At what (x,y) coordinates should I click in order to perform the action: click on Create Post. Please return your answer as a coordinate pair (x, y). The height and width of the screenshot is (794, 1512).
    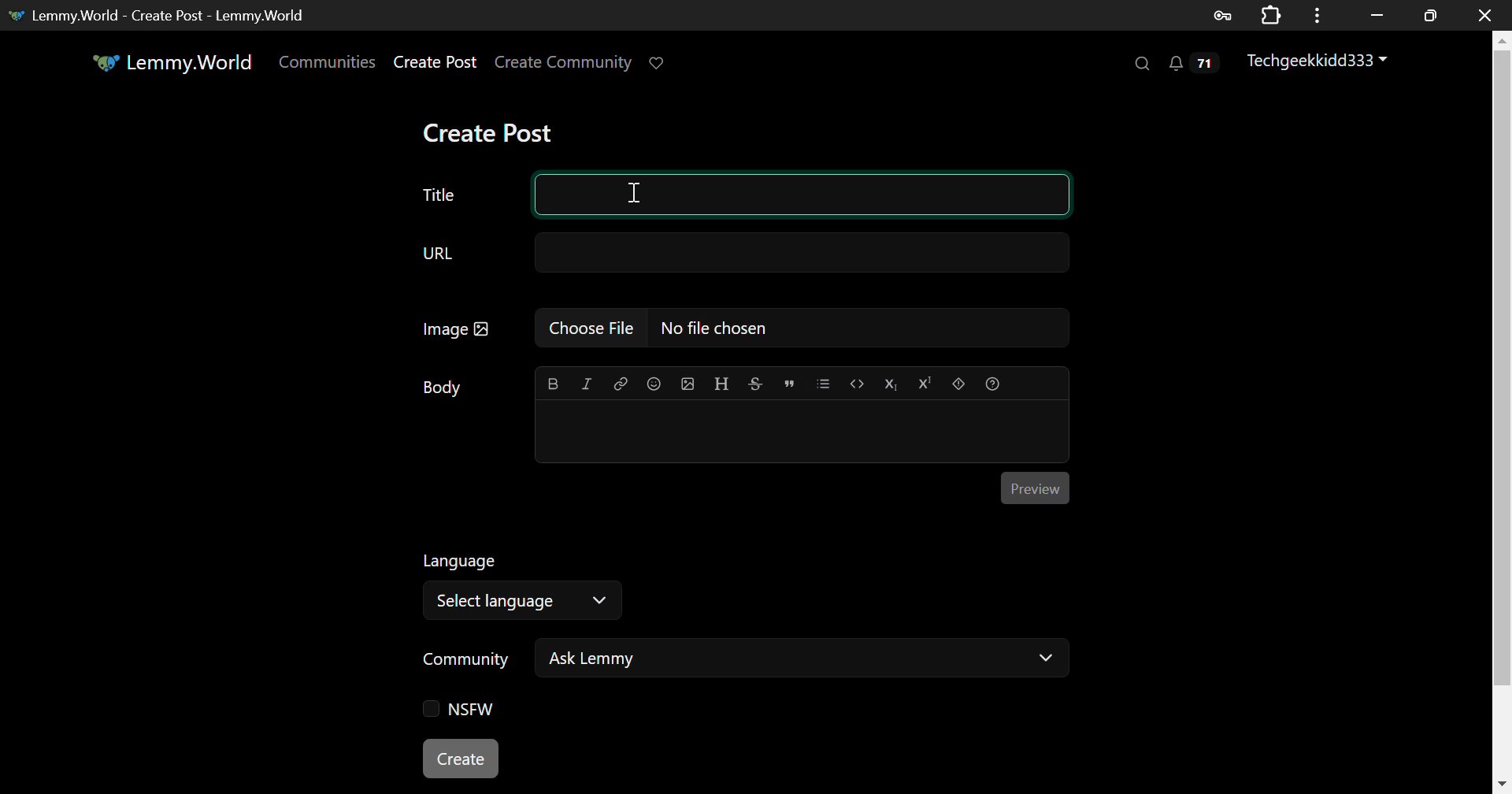
    Looking at the image, I should click on (435, 64).